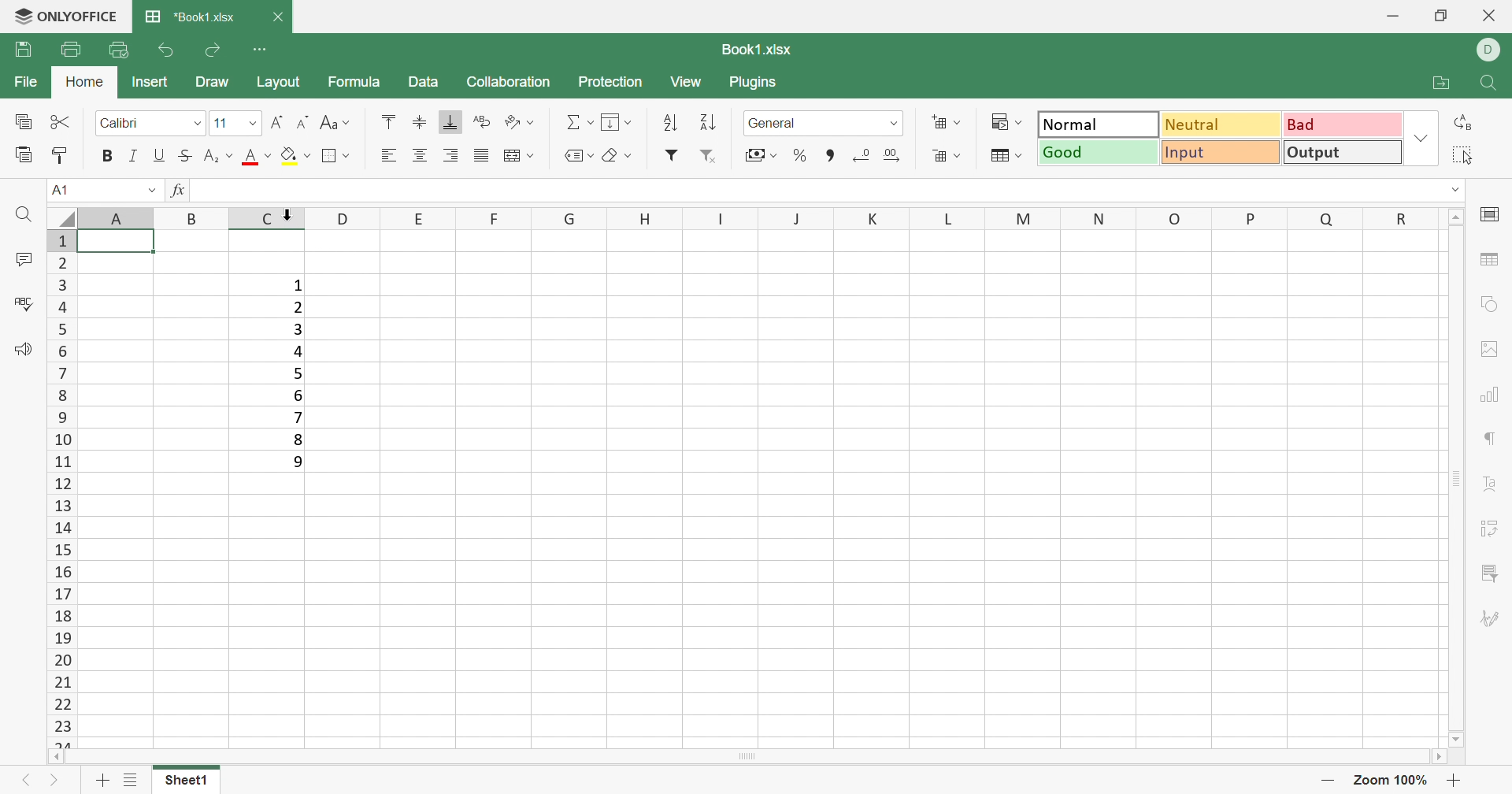 This screenshot has width=1512, height=794. Describe the element at coordinates (257, 155) in the screenshot. I see `Font color` at that location.